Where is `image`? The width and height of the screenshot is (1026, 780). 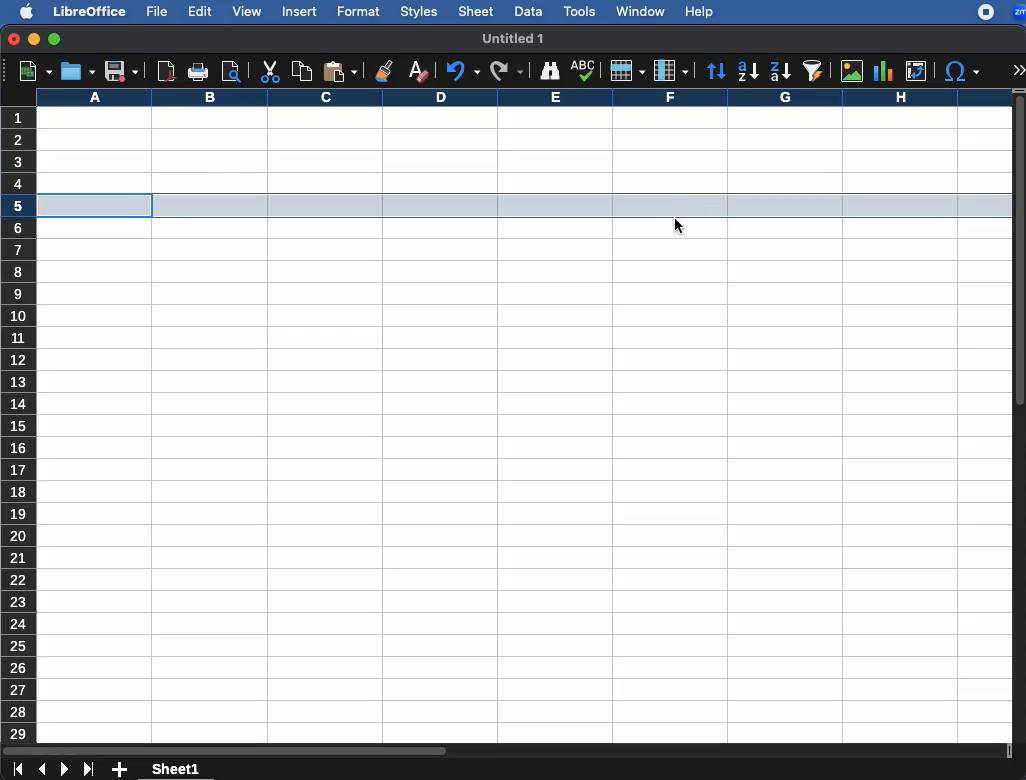
image is located at coordinates (852, 71).